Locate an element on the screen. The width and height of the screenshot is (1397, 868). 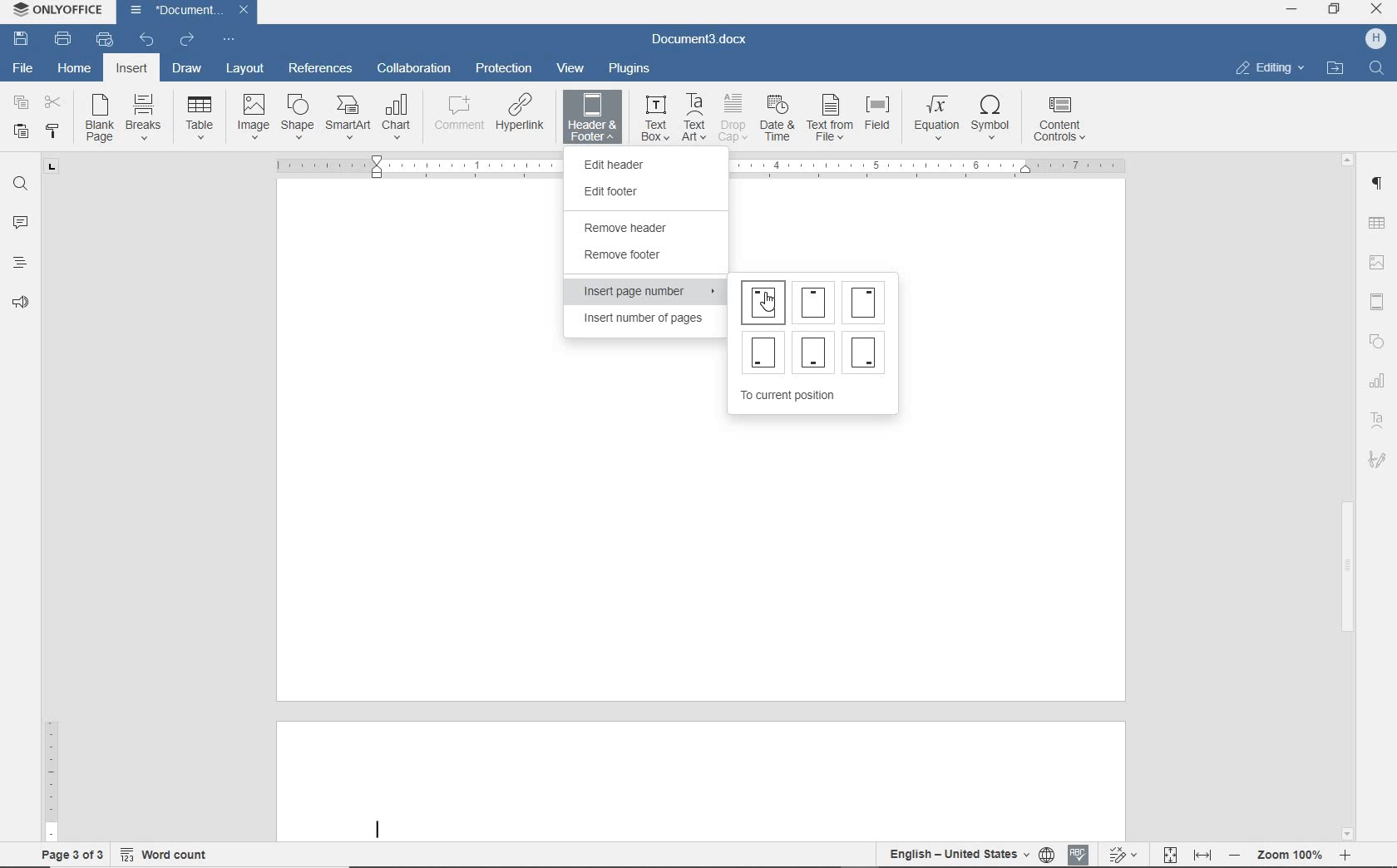
REFERENCES is located at coordinates (320, 69).